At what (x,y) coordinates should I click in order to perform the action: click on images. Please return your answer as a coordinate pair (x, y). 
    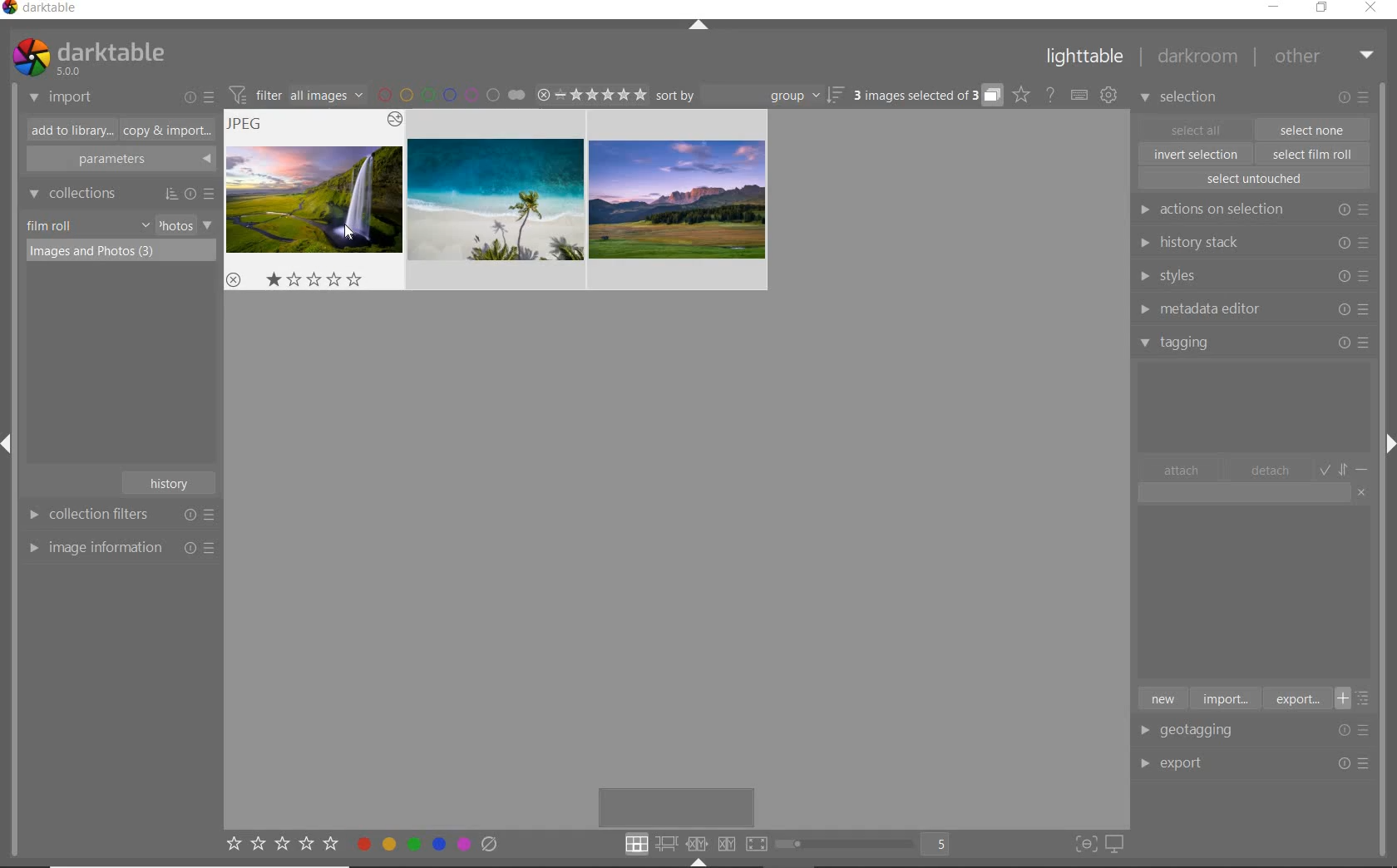
    Looking at the image, I should click on (496, 200).